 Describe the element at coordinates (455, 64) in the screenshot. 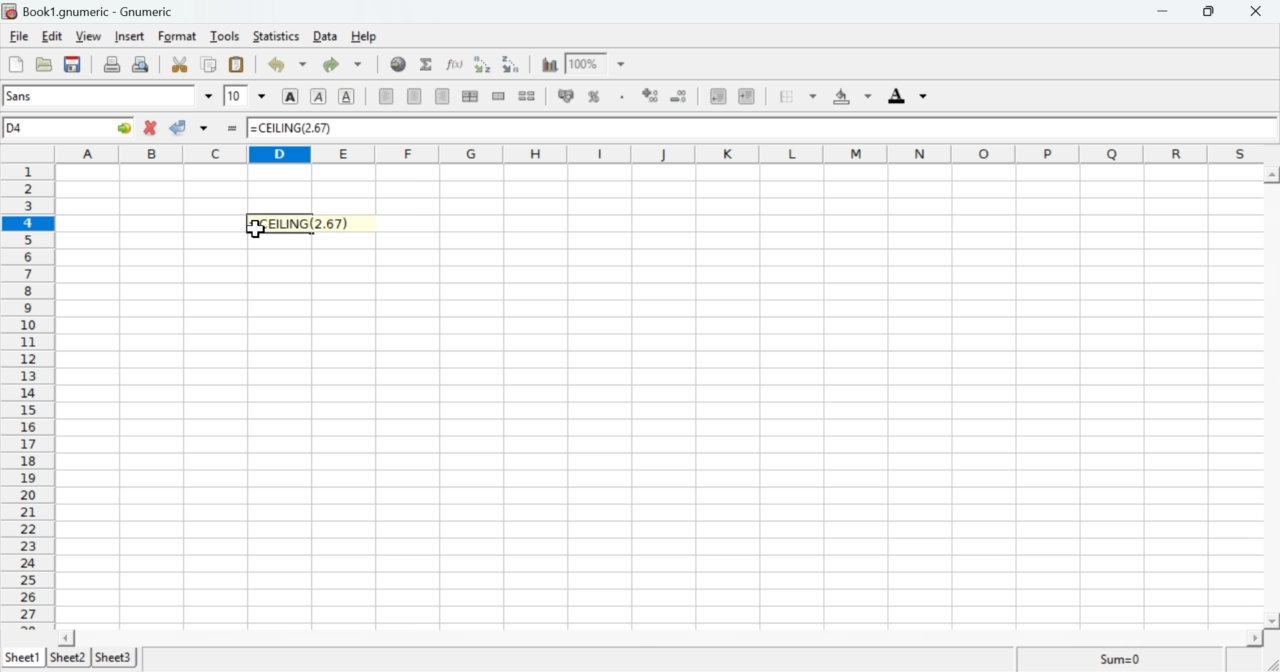

I see `Edit function` at that location.